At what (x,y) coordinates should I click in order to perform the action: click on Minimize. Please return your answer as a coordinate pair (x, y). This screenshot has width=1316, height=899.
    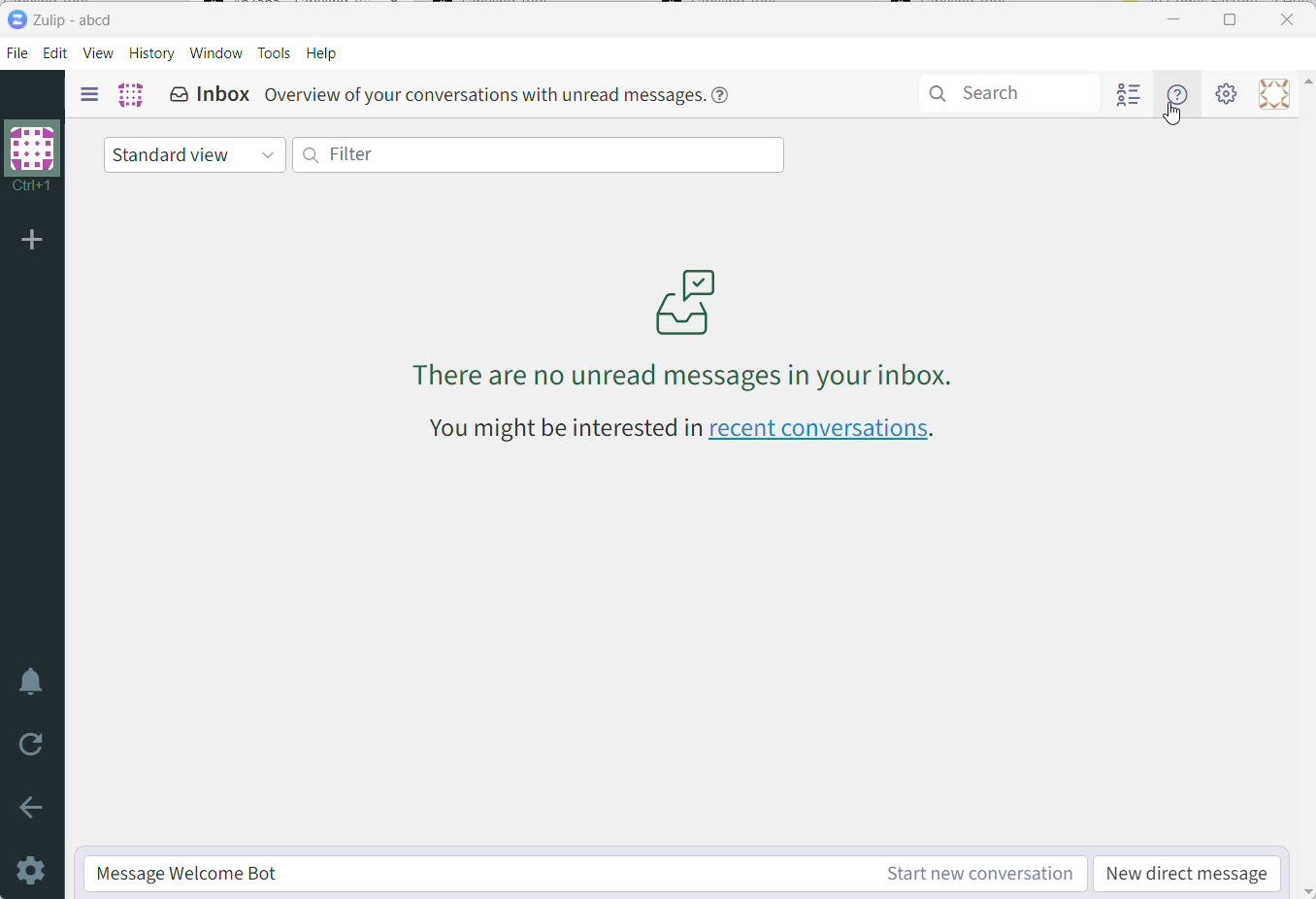
    Looking at the image, I should click on (1170, 20).